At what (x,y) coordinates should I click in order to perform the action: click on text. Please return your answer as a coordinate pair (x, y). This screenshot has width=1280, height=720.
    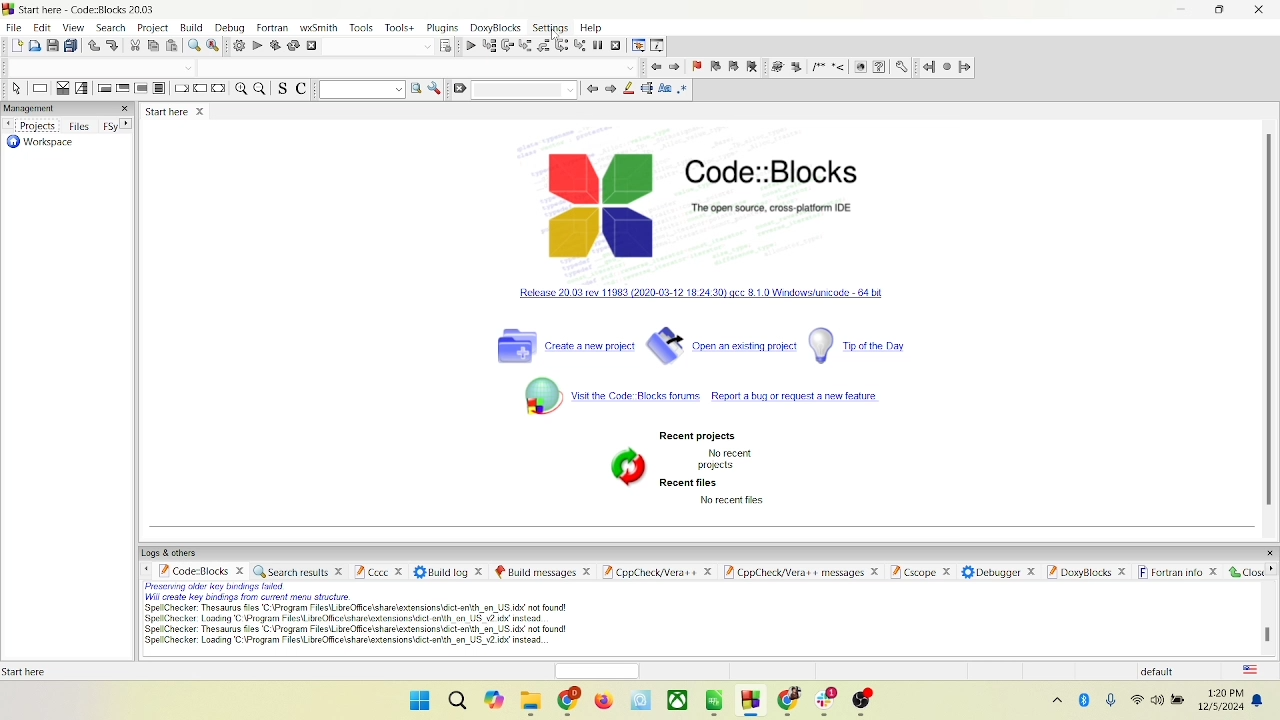
    Looking at the image, I should click on (726, 507).